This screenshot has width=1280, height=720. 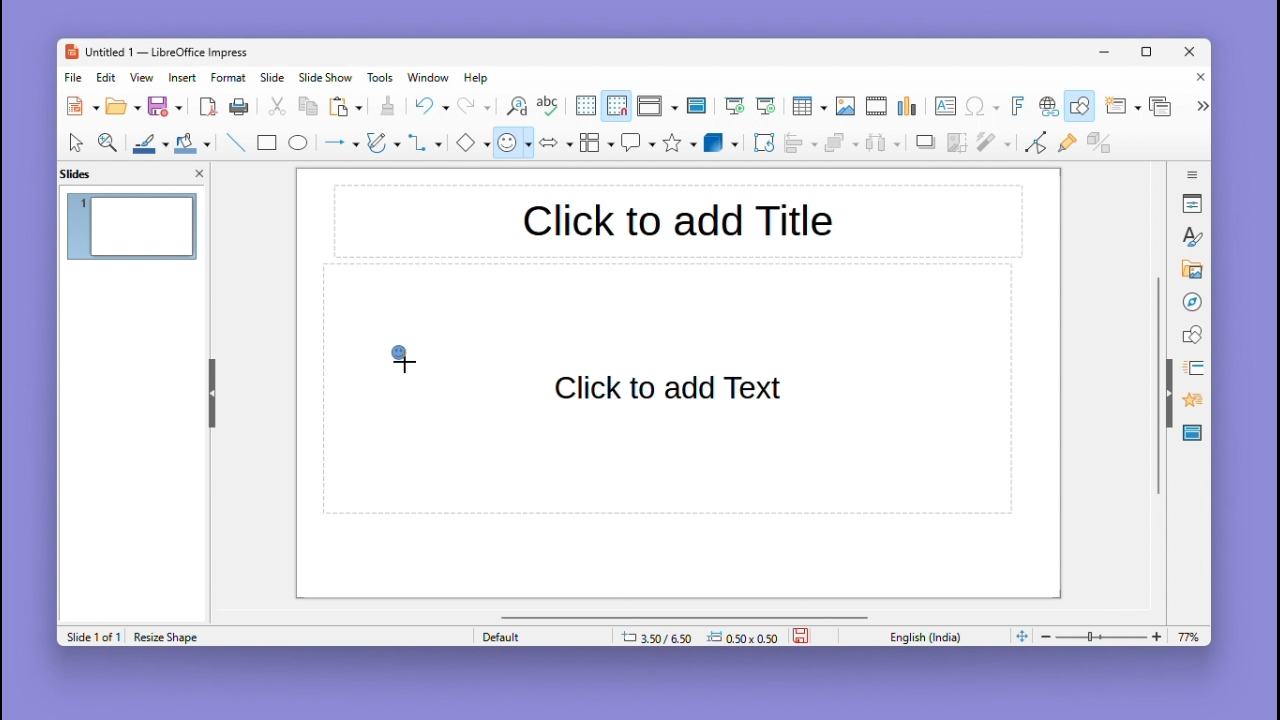 What do you see at coordinates (199, 172) in the screenshot?
I see `close` at bounding box center [199, 172].